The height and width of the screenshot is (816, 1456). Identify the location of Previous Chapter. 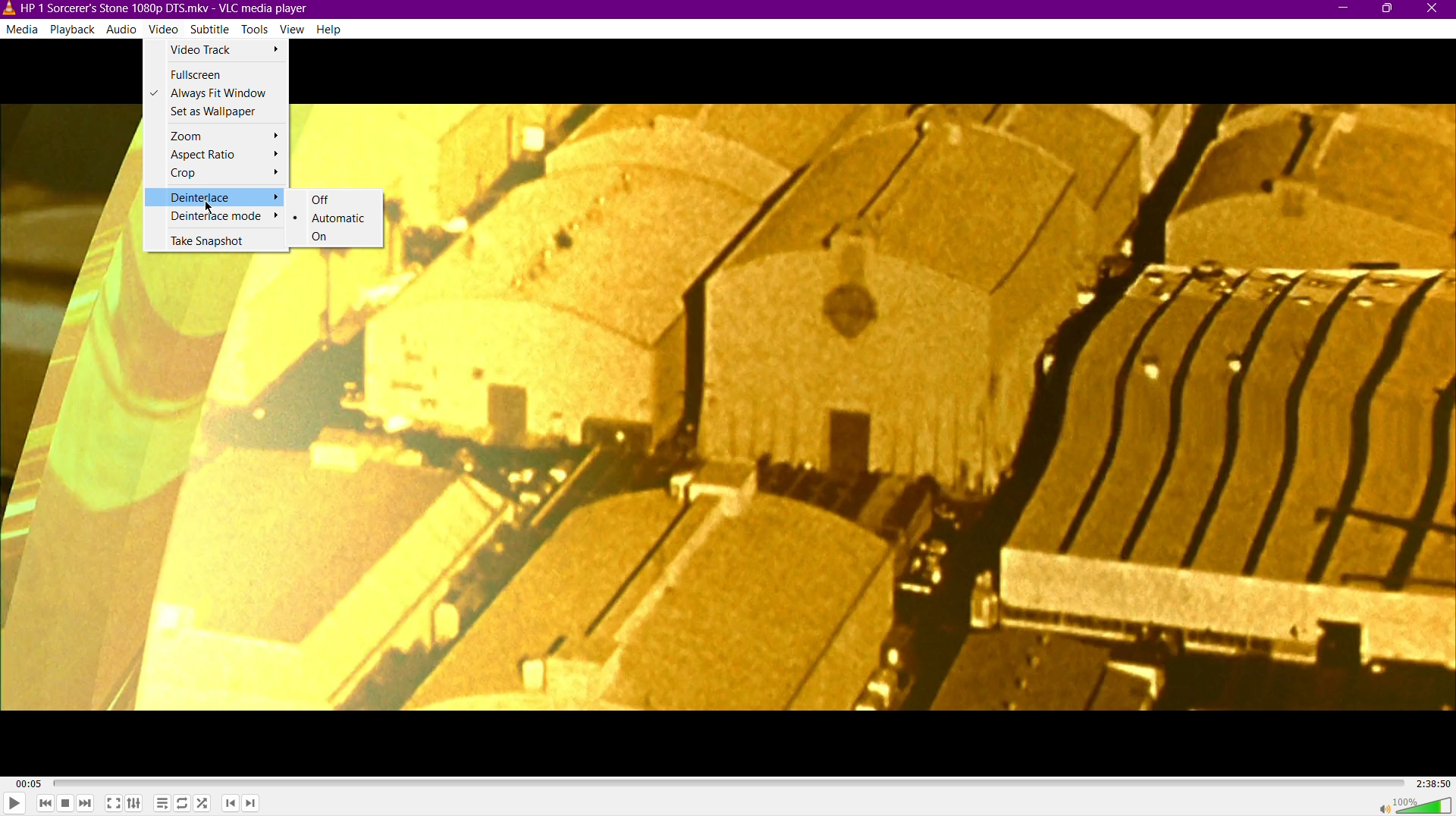
(231, 804).